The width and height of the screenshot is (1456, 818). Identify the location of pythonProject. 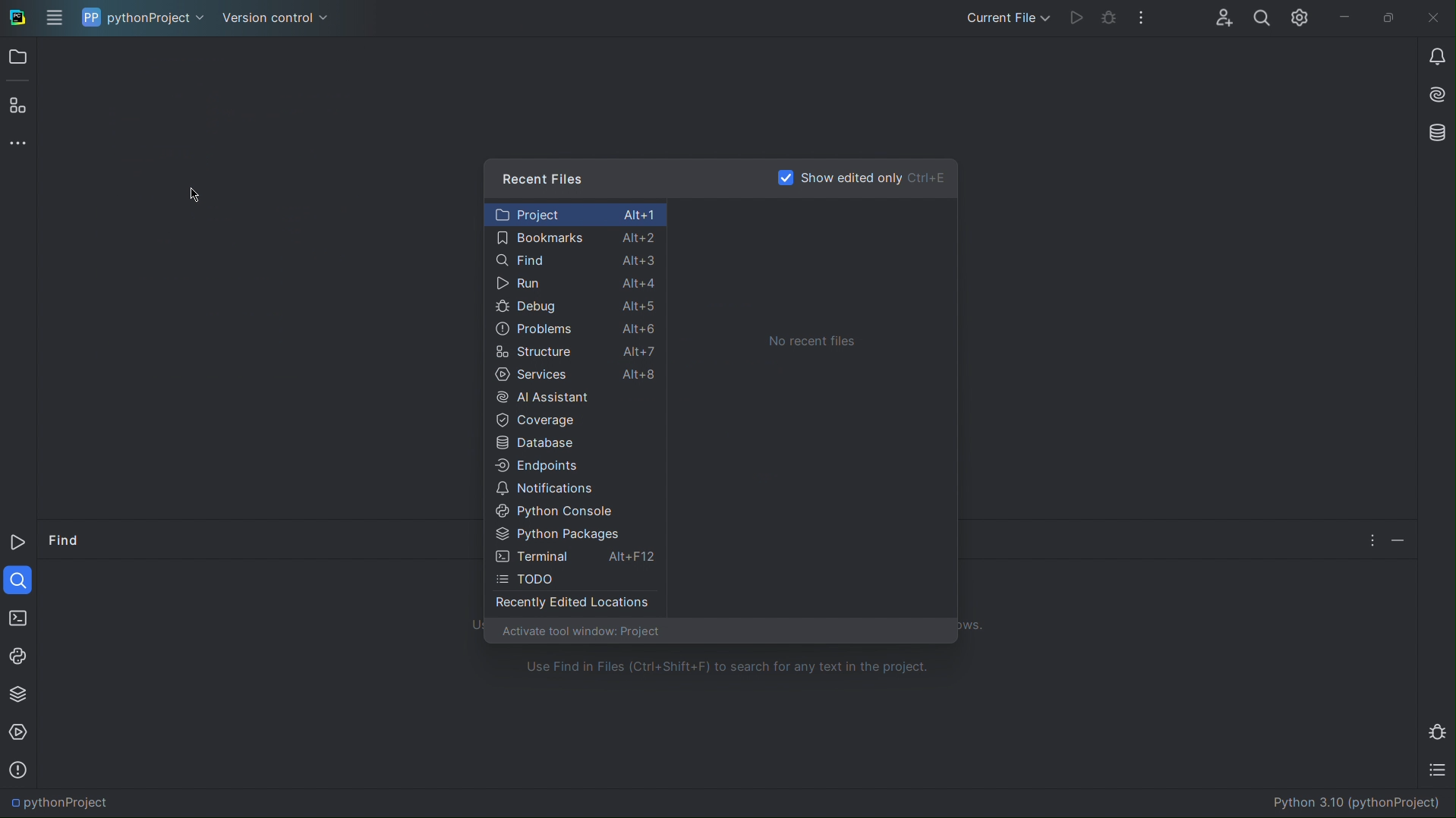
(142, 17).